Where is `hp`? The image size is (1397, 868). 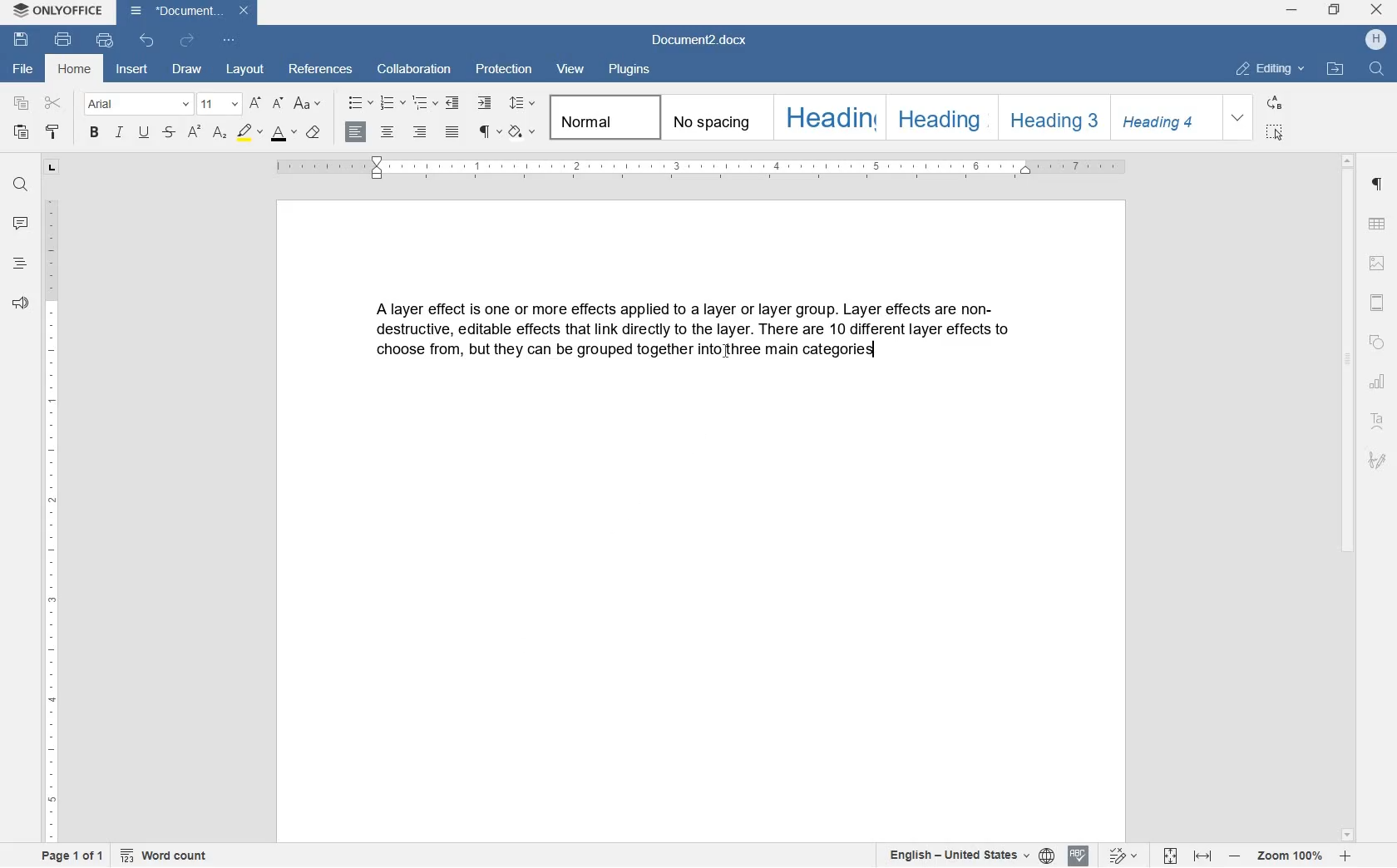 hp is located at coordinates (1378, 40).